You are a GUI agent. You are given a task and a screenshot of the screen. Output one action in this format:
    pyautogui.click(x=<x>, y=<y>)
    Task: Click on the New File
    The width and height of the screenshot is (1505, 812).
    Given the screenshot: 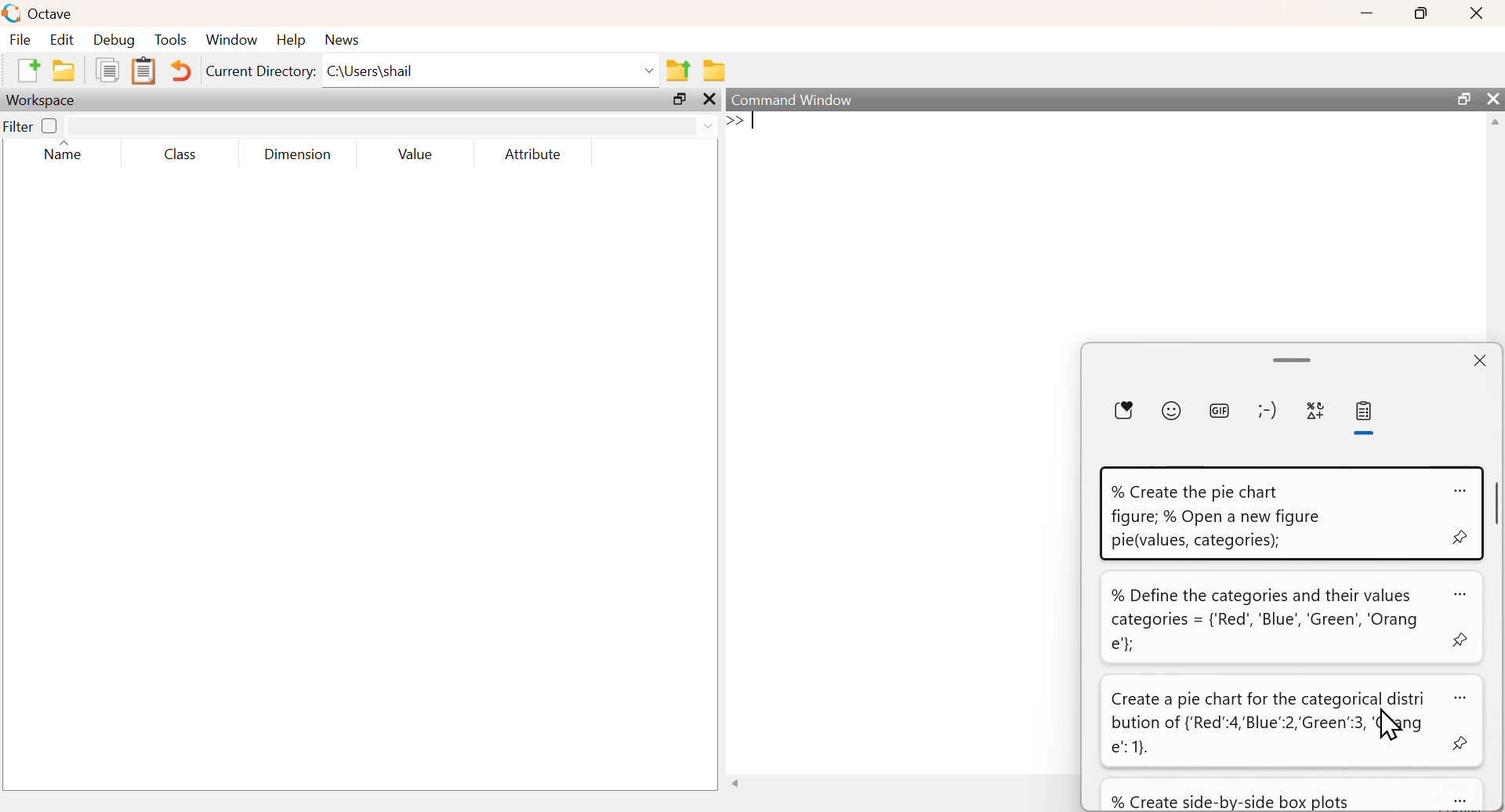 What is the action you would take?
    pyautogui.click(x=29, y=71)
    